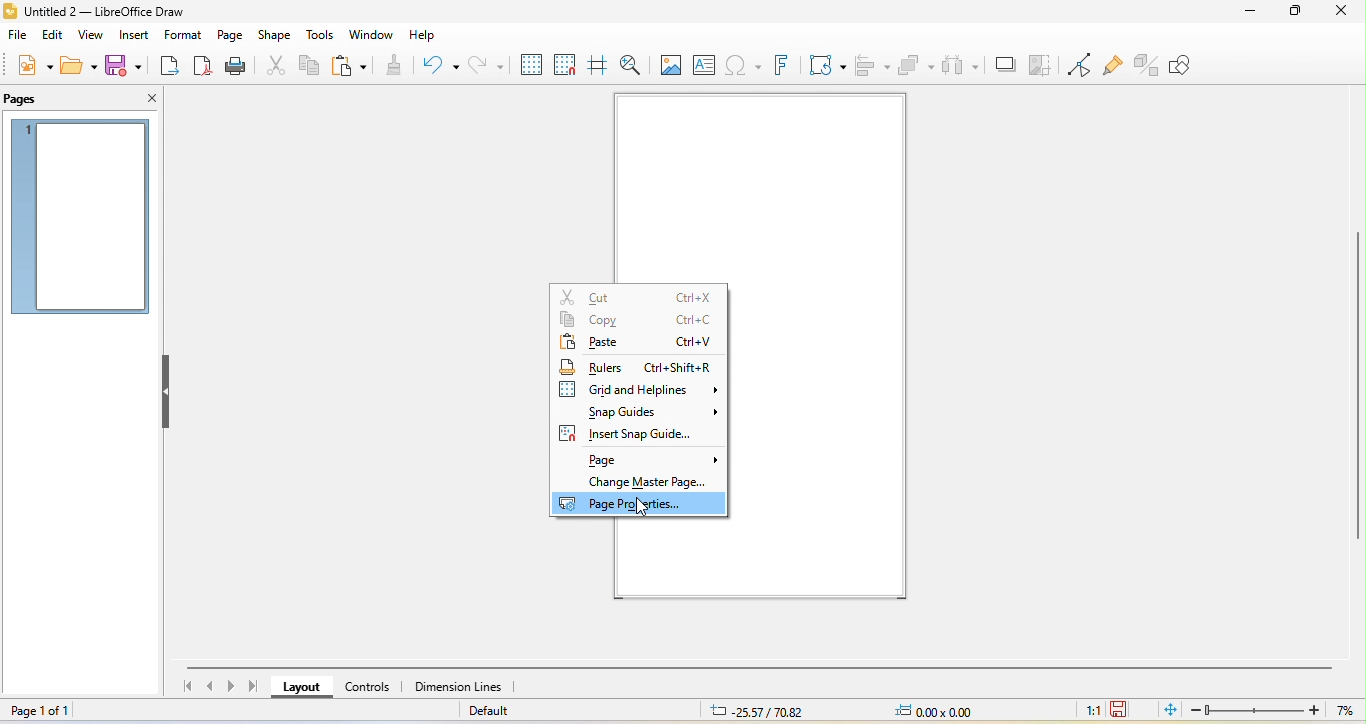  What do you see at coordinates (229, 35) in the screenshot?
I see `page` at bounding box center [229, 35].